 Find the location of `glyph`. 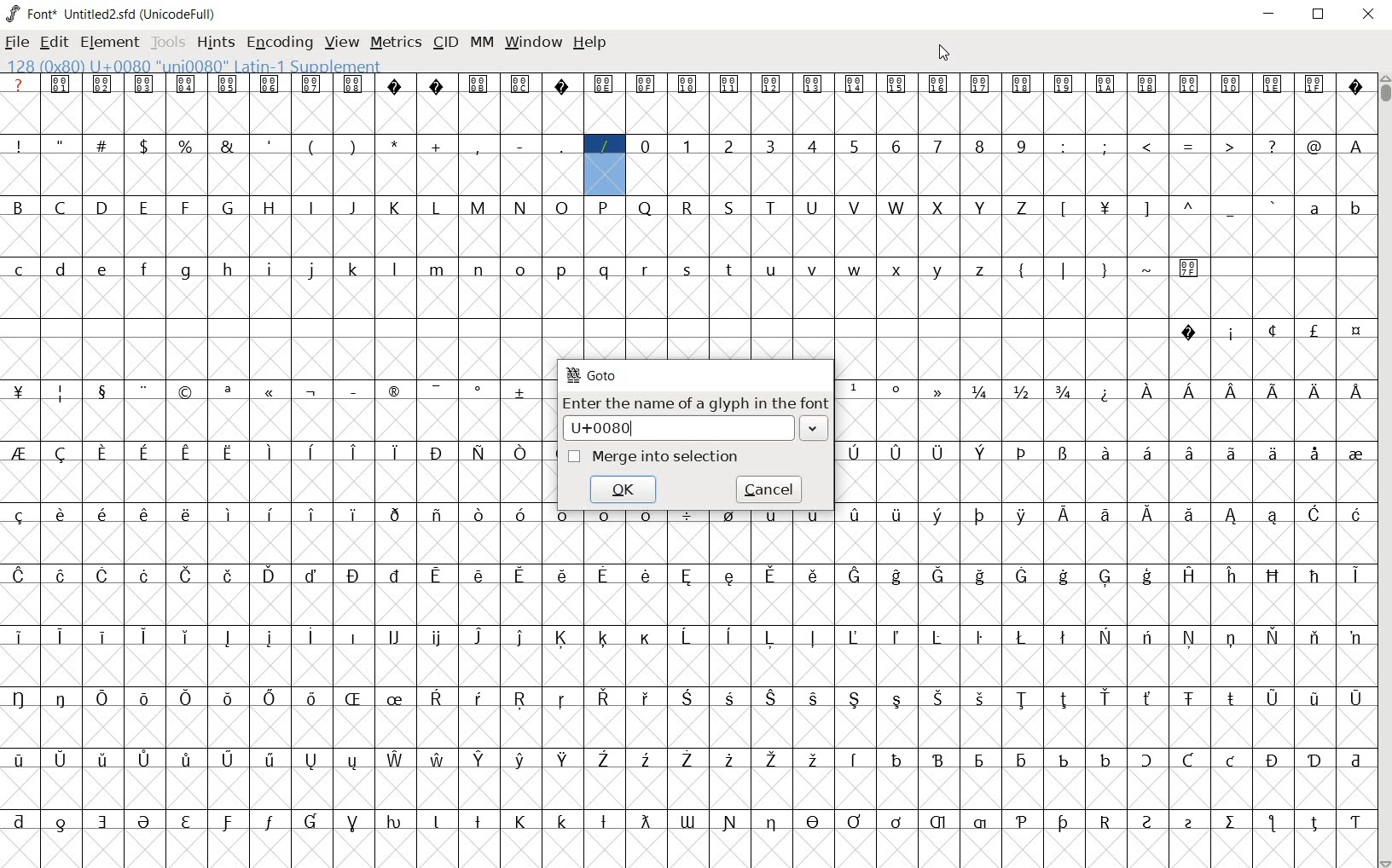

glyph is located at coordinates (980, 823).